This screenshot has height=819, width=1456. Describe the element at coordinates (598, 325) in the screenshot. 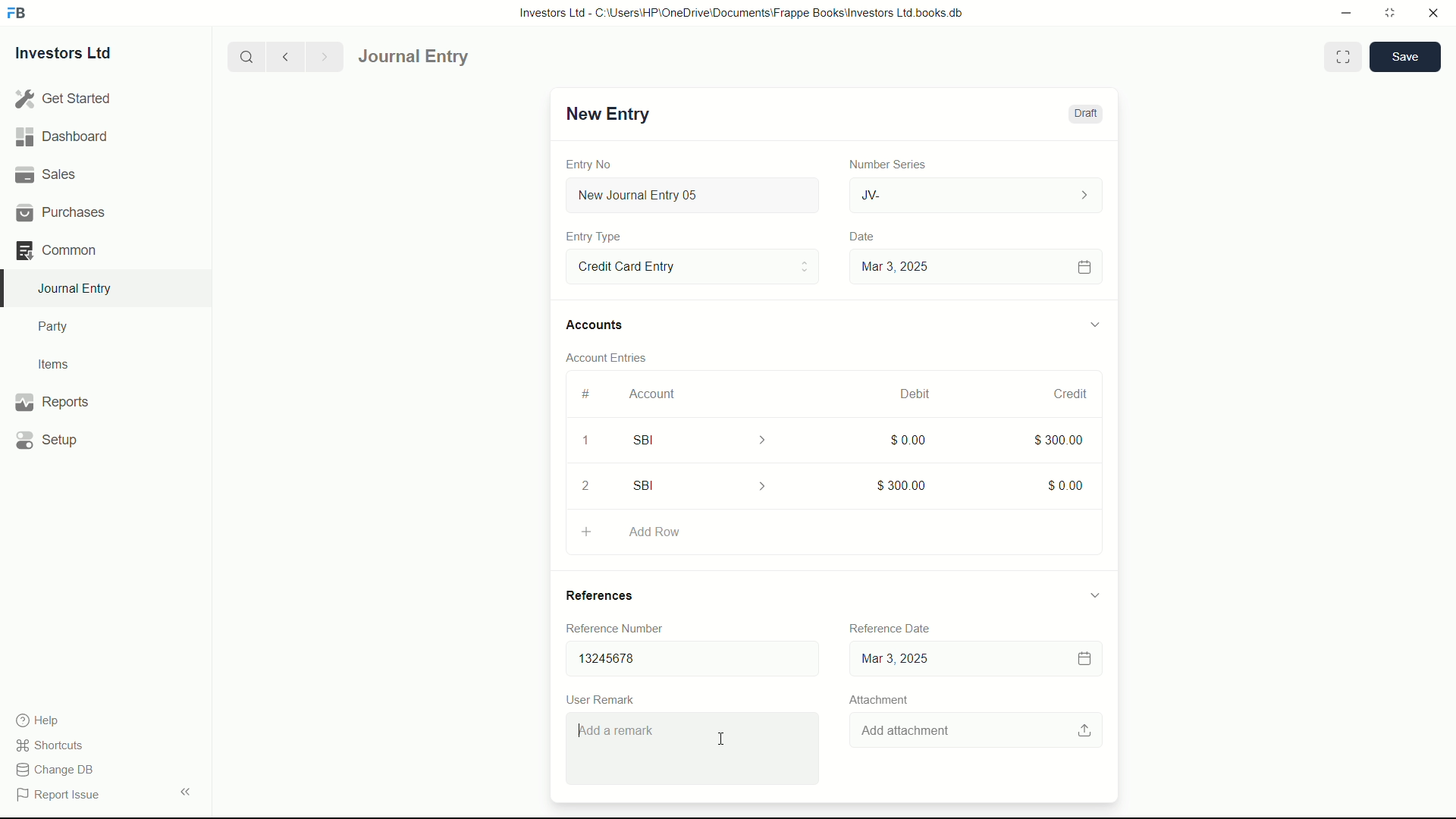

I see `Accounts` at that location.